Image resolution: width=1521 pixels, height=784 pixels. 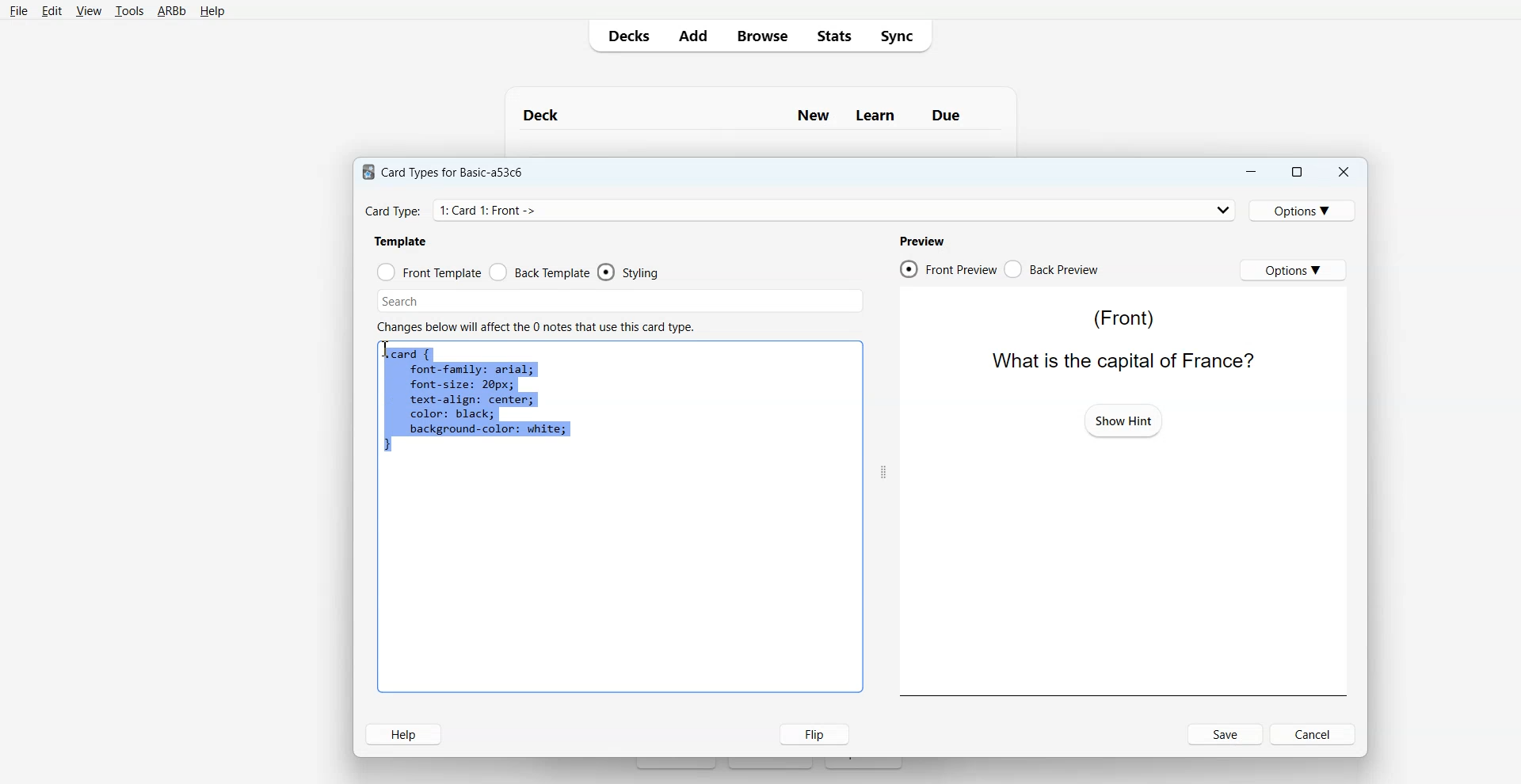 I want to click on Browse, so click(x=761, y=35).